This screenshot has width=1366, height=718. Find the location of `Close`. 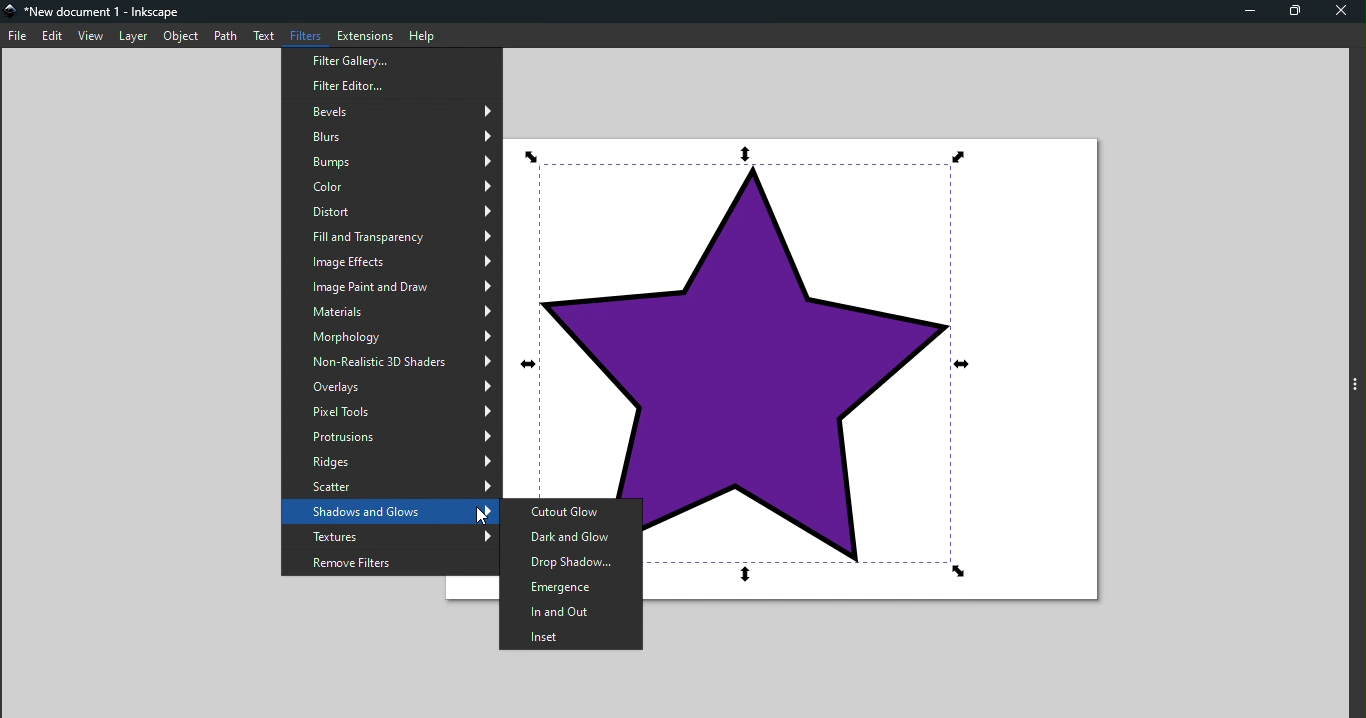

Close is located at coordinates (1345, 11).